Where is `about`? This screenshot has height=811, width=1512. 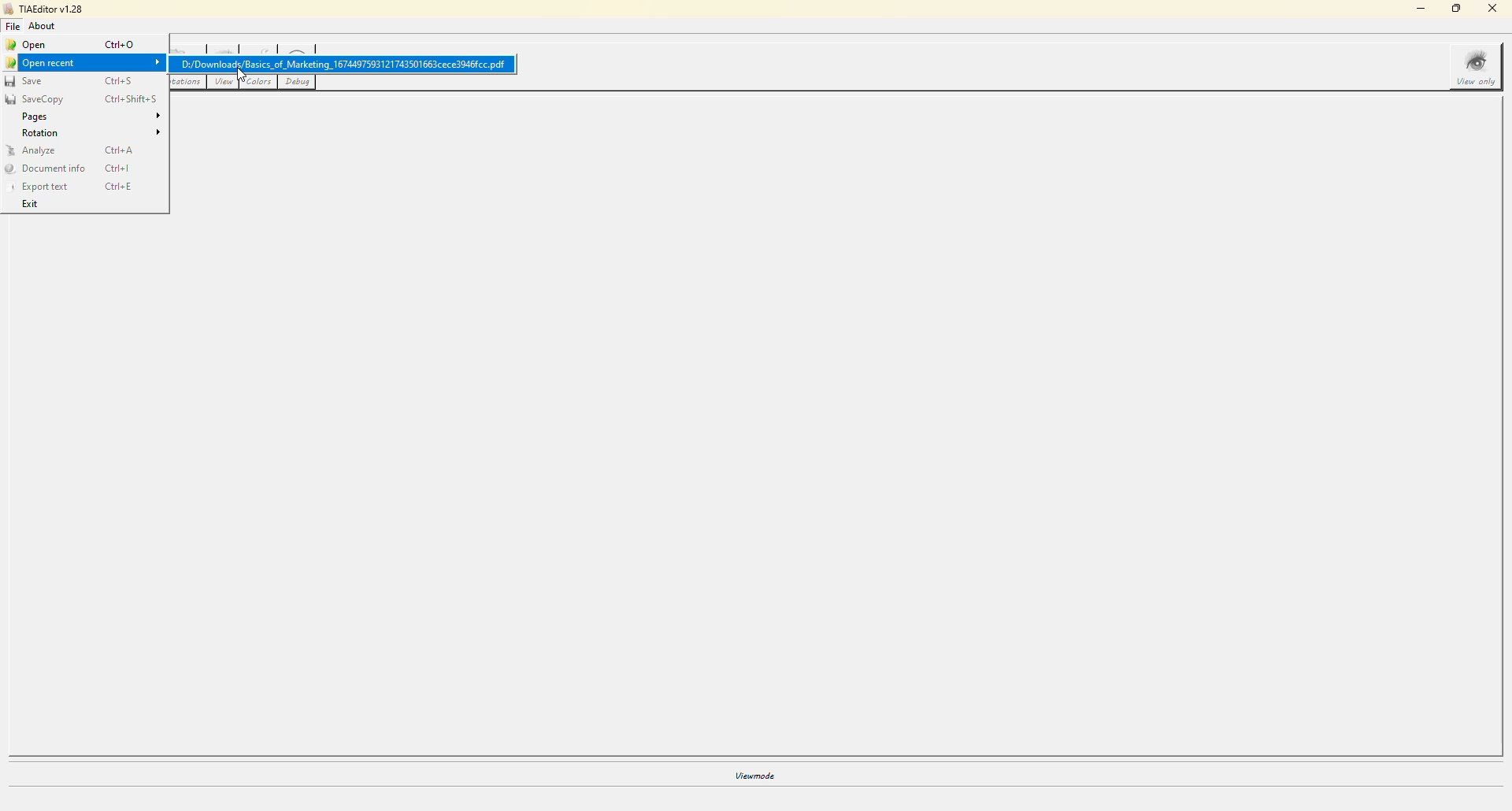 about is located at coordinates (42, 26).